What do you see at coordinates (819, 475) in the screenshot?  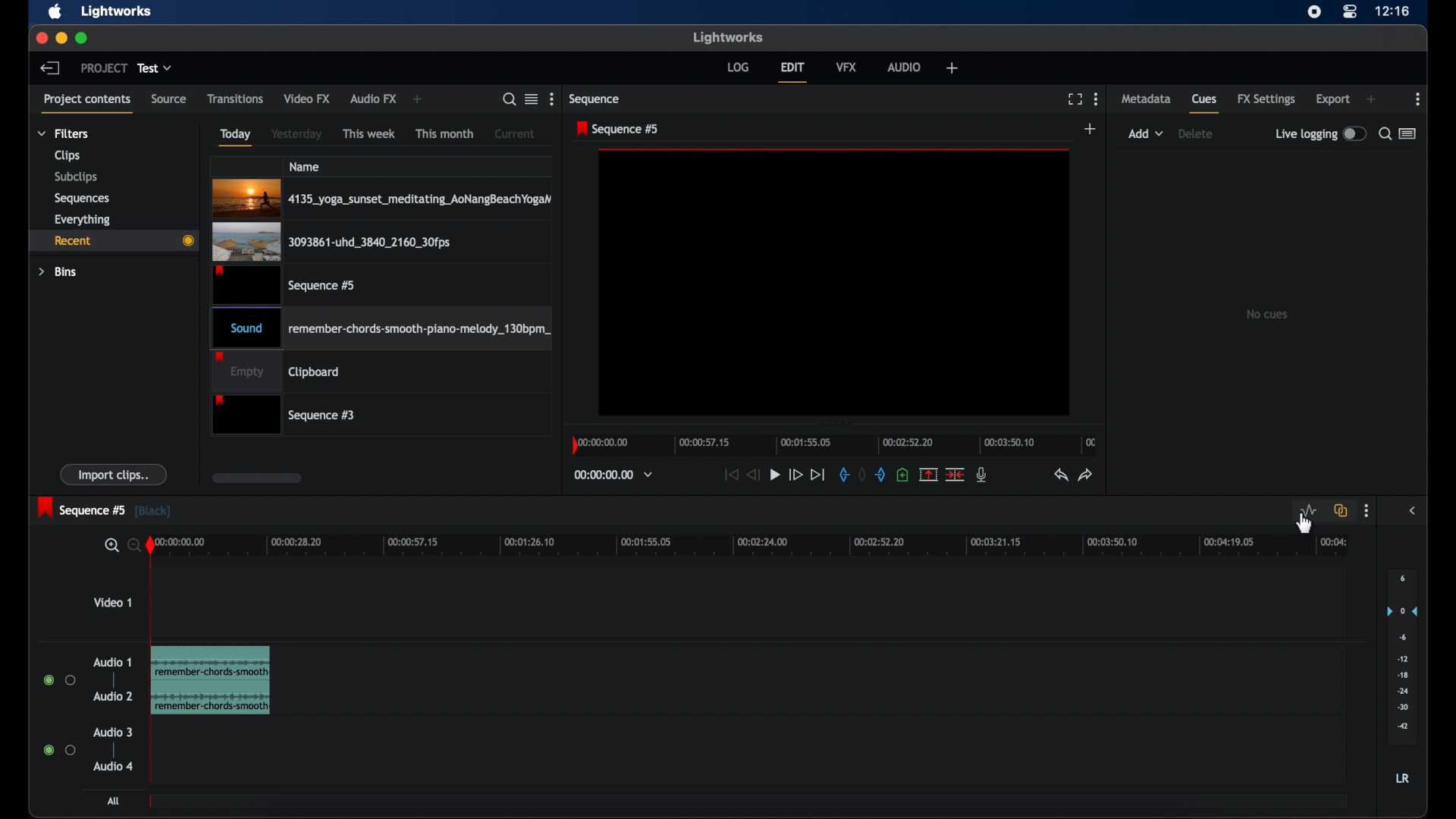 I see `jump to end` at bounding box center [819, 475].